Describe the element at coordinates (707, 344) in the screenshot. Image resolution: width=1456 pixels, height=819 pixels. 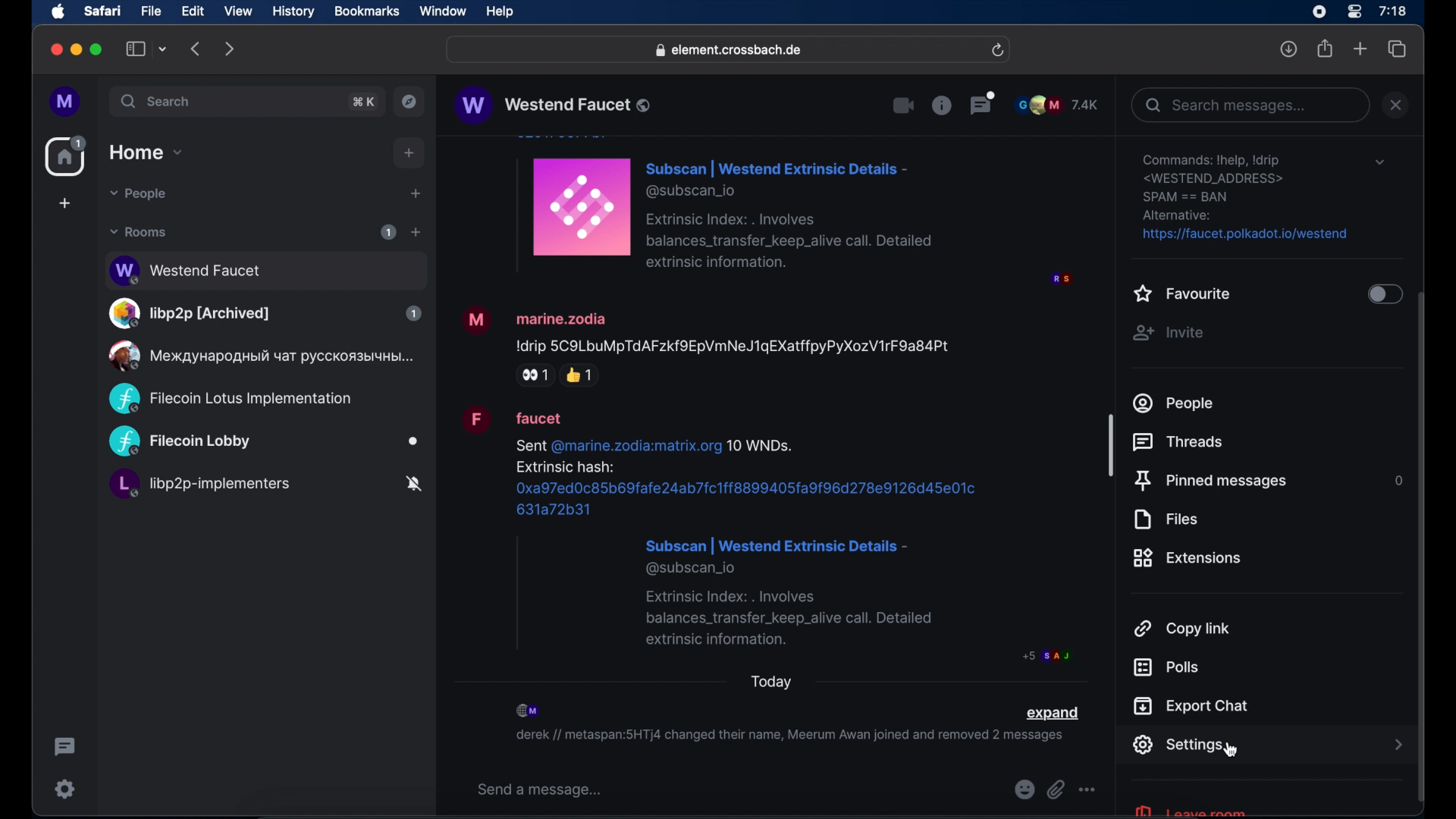
I see `message` at that location.